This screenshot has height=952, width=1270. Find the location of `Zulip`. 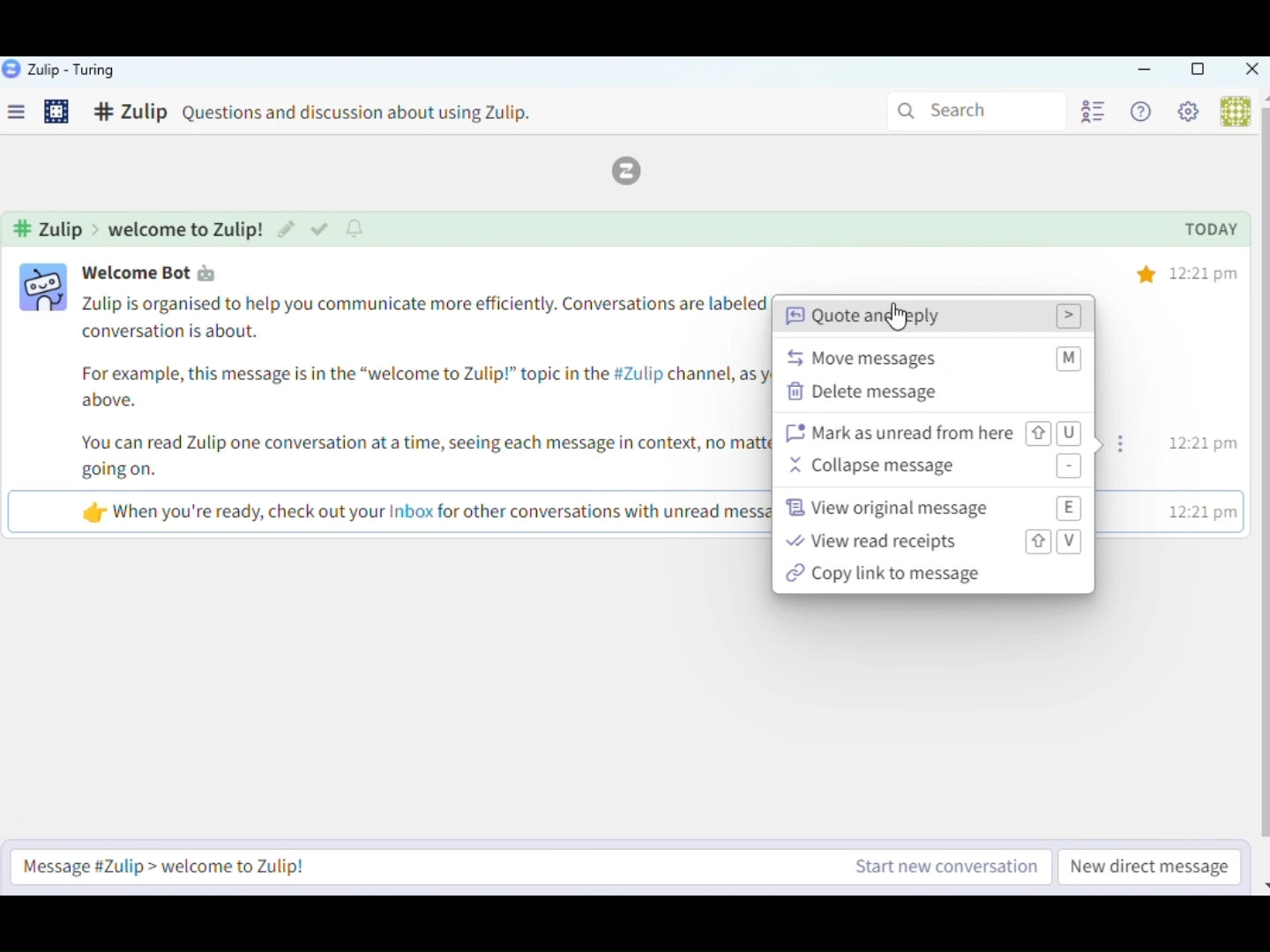

Zulip is located at coordinates (60, 71).